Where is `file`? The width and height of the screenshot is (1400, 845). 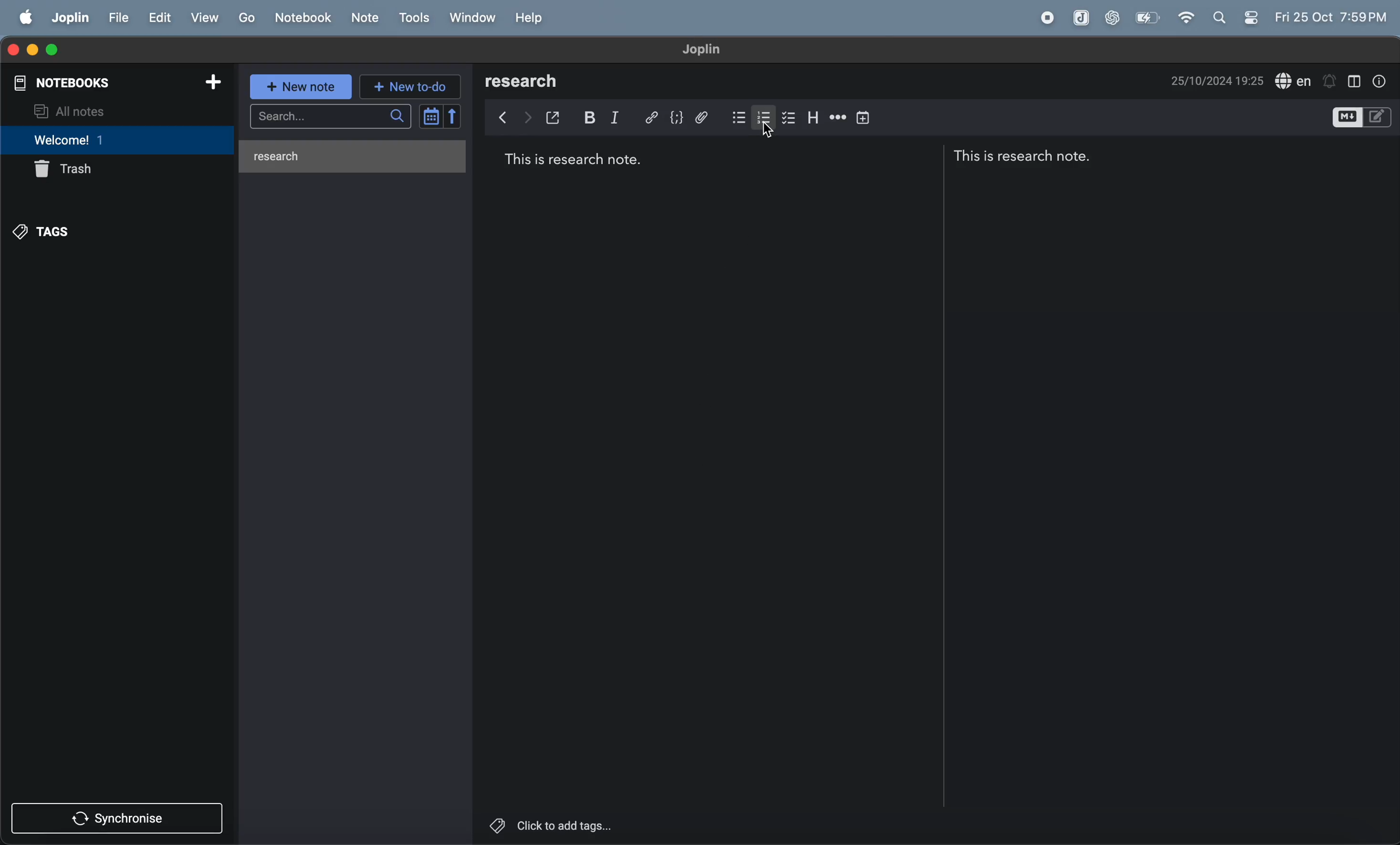
file is located at coordinates (118, 16).